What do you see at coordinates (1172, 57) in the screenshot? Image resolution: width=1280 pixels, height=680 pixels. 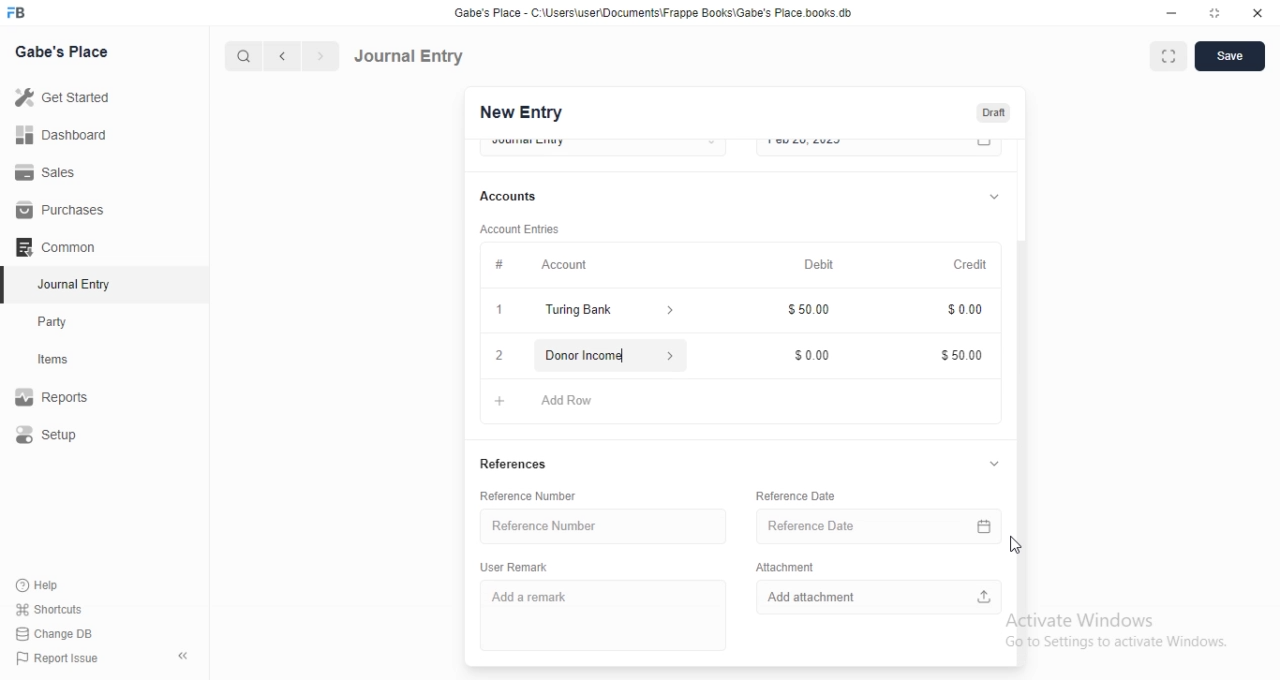 I see `full screen` at bounding box center [1172, 57].